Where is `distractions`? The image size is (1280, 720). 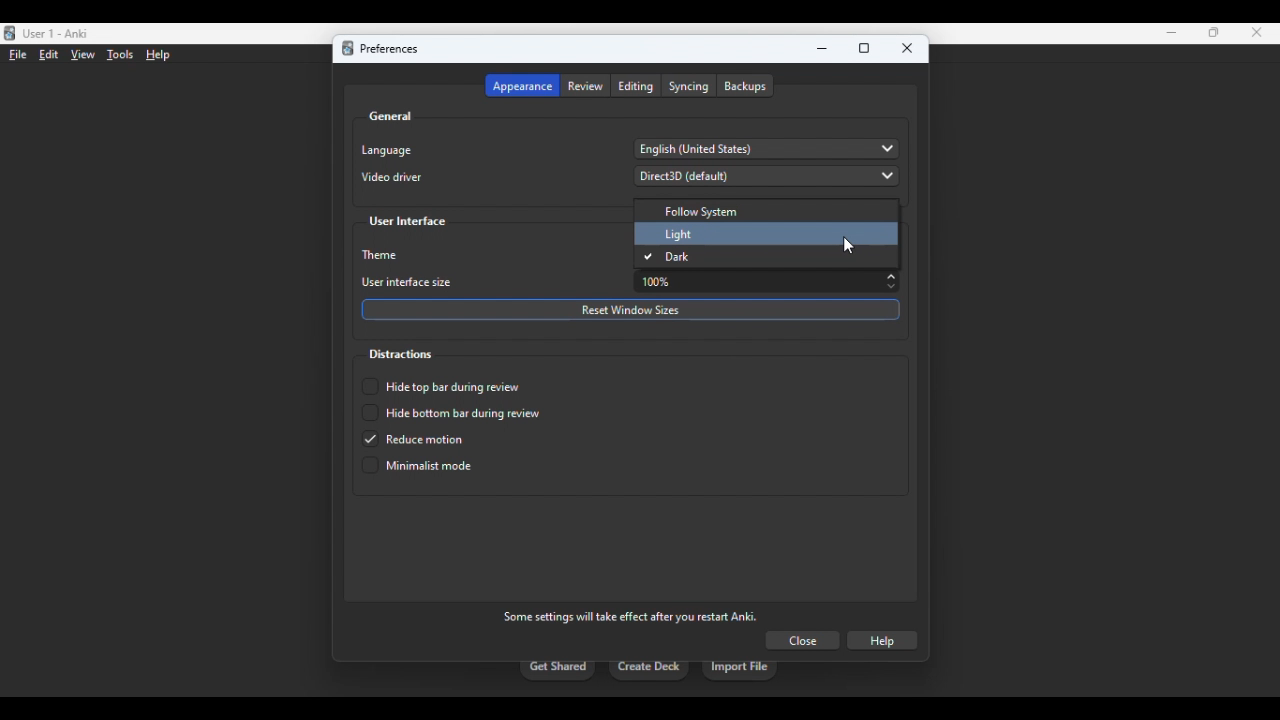
distractions is located at coordinates (399, 354).